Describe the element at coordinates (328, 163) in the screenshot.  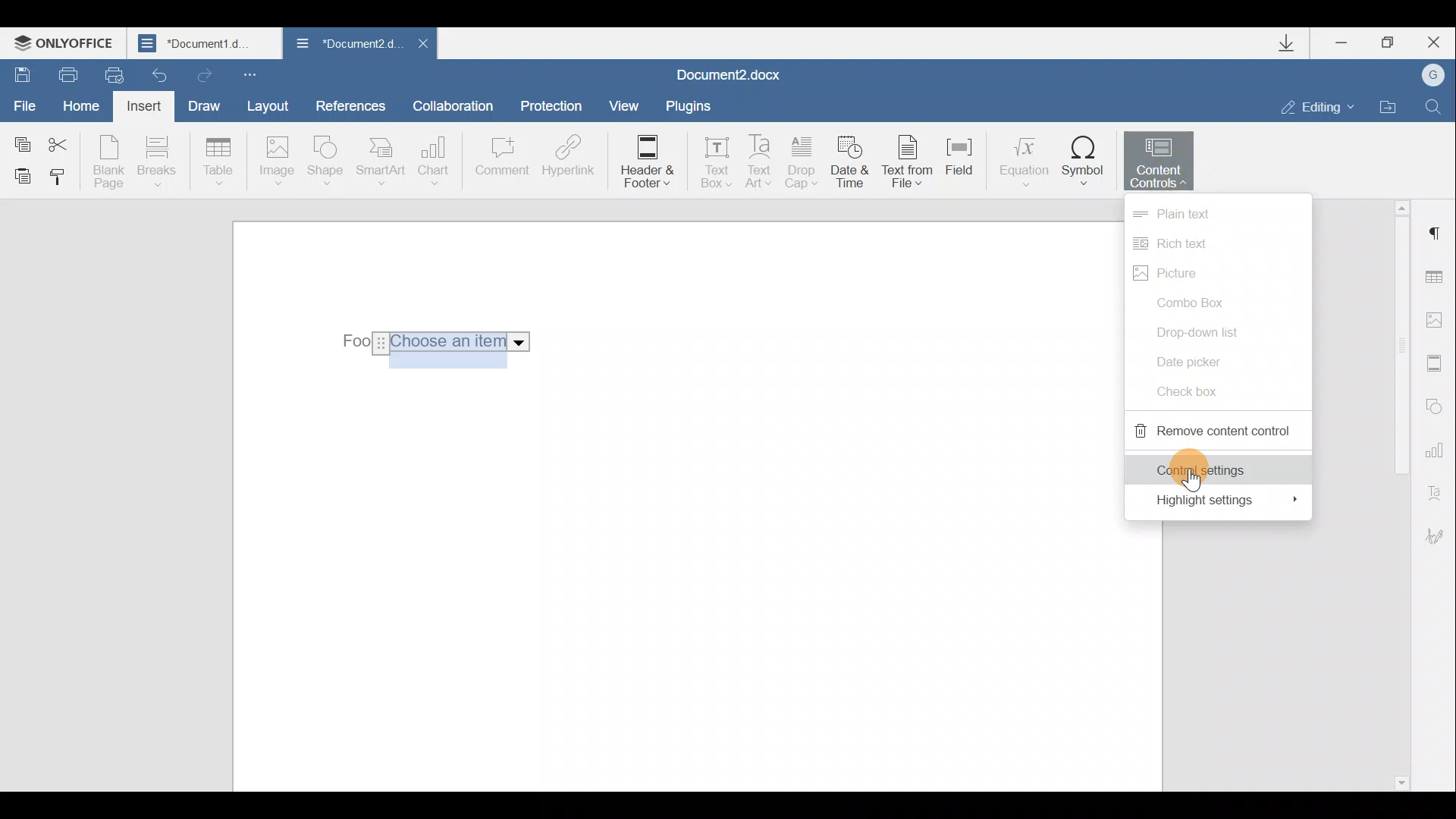
I see `Shape` at that location.